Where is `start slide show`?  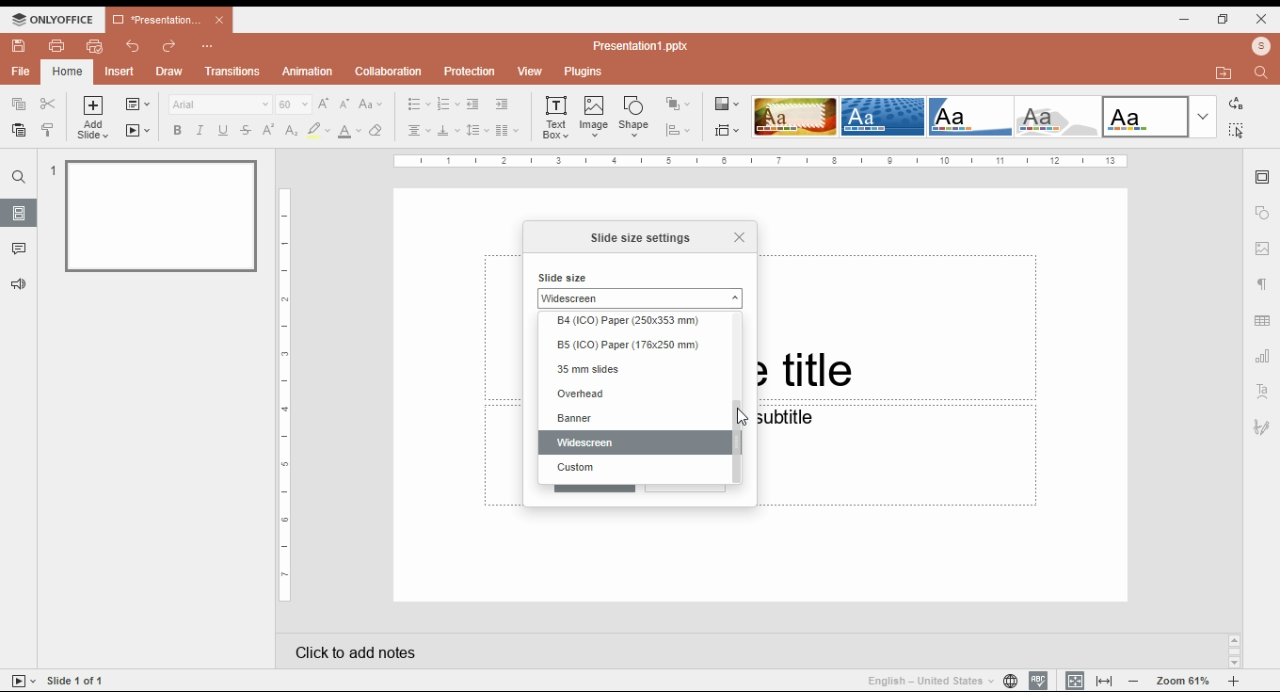
start slide show is located at coordinates (24, 681).